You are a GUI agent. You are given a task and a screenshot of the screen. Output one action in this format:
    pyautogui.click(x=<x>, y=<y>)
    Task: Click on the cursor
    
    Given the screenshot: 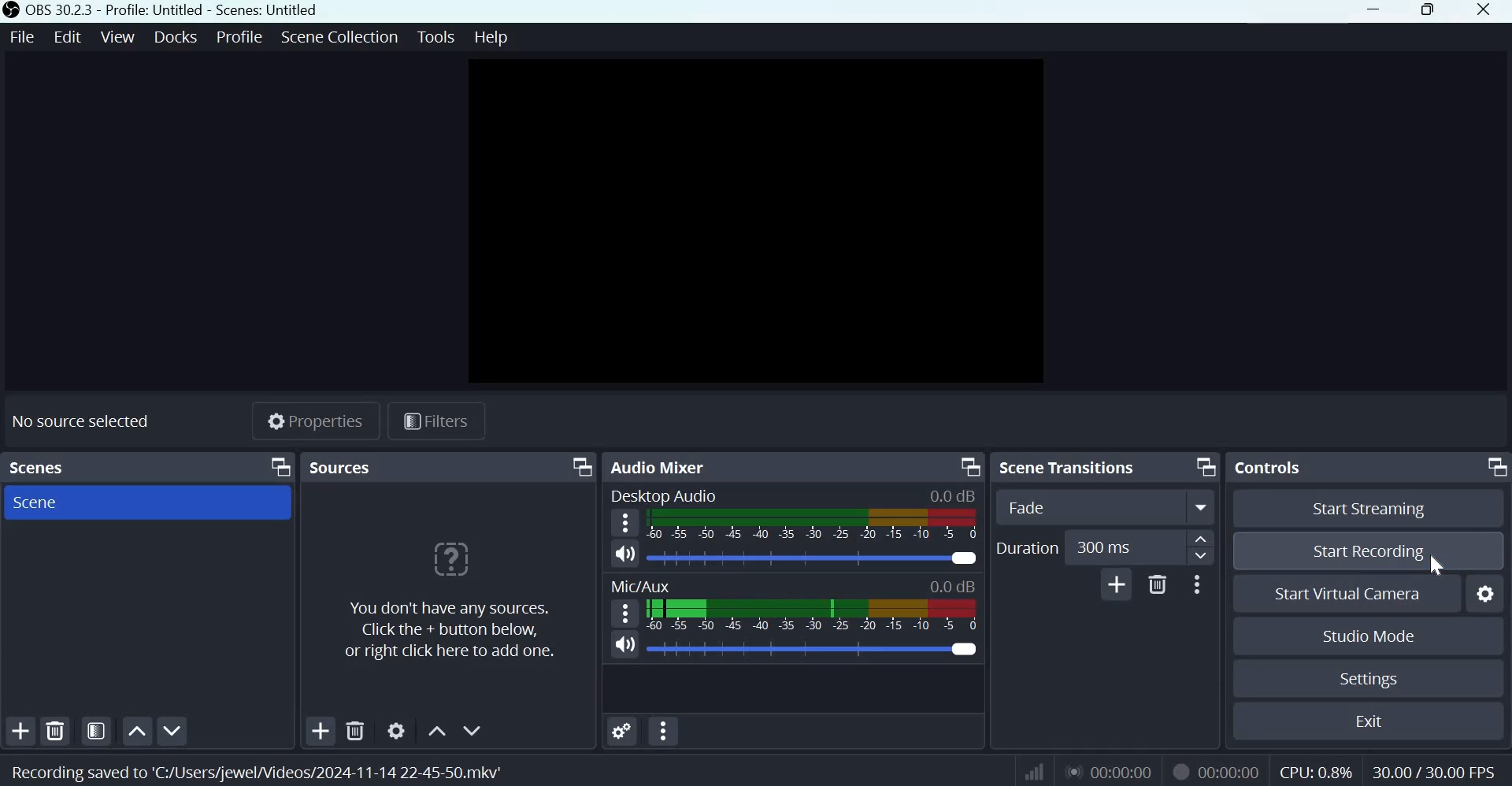 What is the action you would take?
    pyautogui.click(x=1441, y=566)
    